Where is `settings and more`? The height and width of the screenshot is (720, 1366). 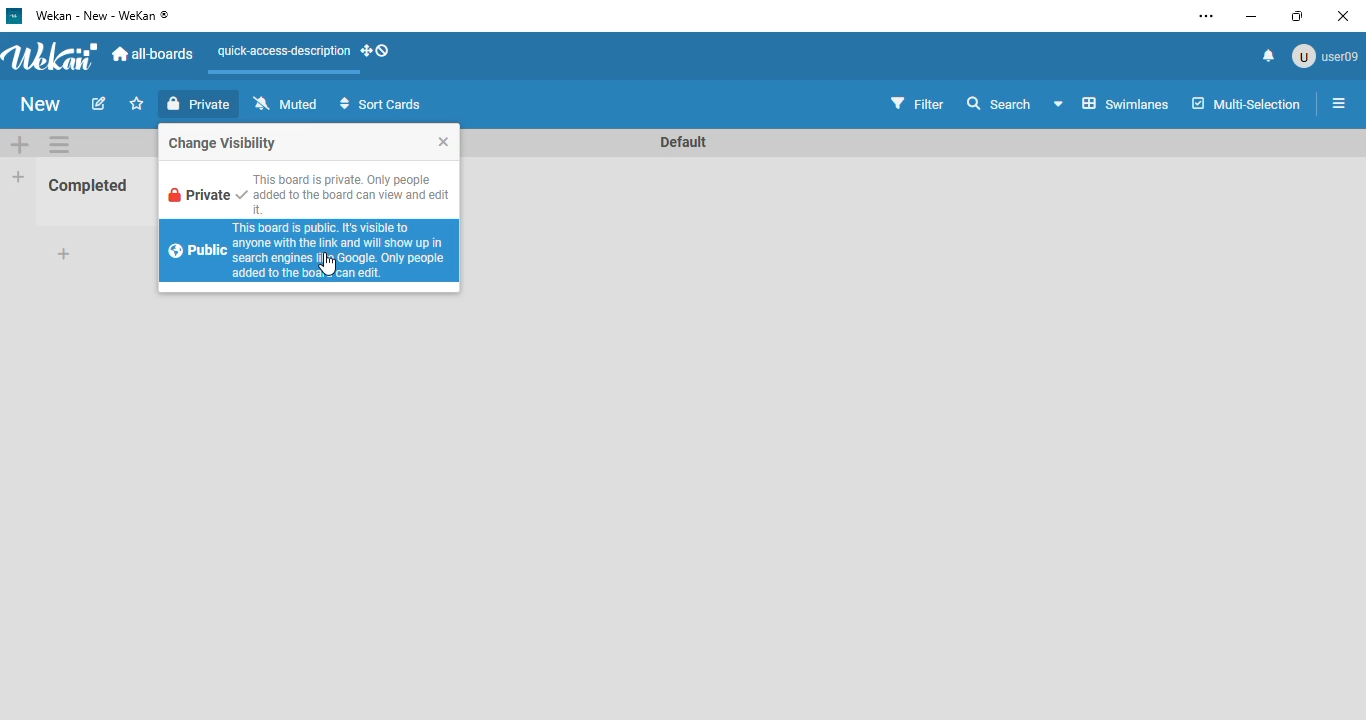 settings and more is located at coordinates (1207, 16).